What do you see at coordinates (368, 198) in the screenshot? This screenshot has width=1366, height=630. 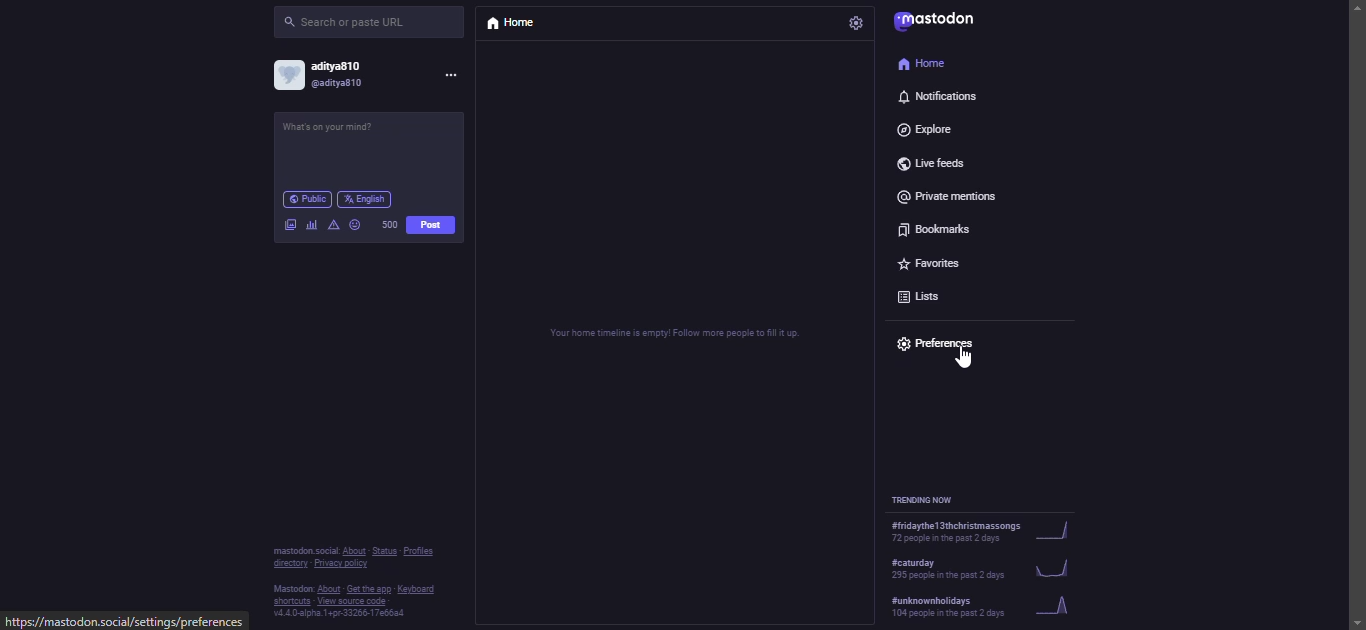 I see `english` at bounding box center [368, 198].